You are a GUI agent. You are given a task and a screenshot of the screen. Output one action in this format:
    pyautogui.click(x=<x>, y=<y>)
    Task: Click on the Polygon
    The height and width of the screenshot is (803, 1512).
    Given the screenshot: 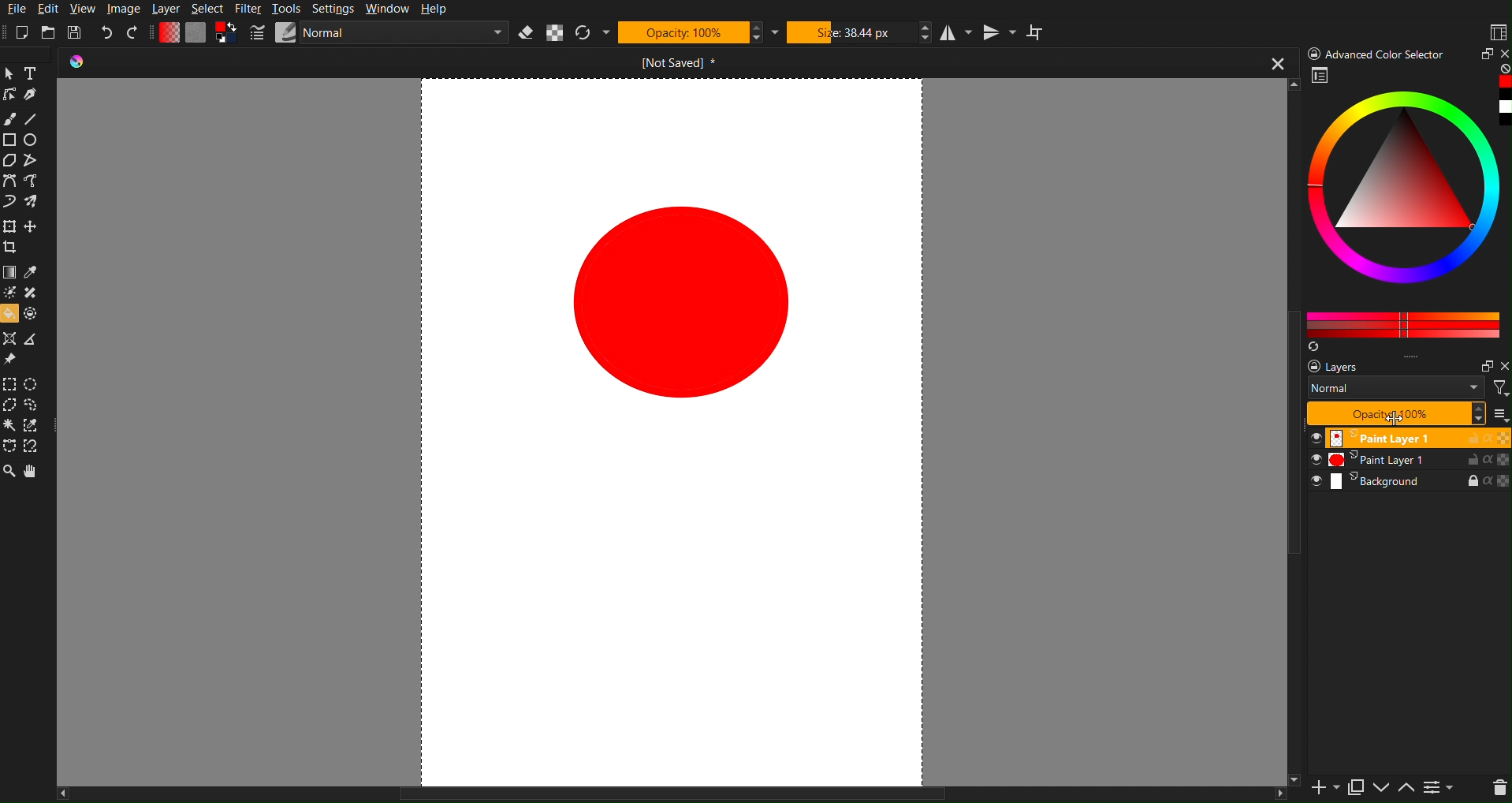 What is the action you would take?
    pyautogui.click(x=10, y=160)
    